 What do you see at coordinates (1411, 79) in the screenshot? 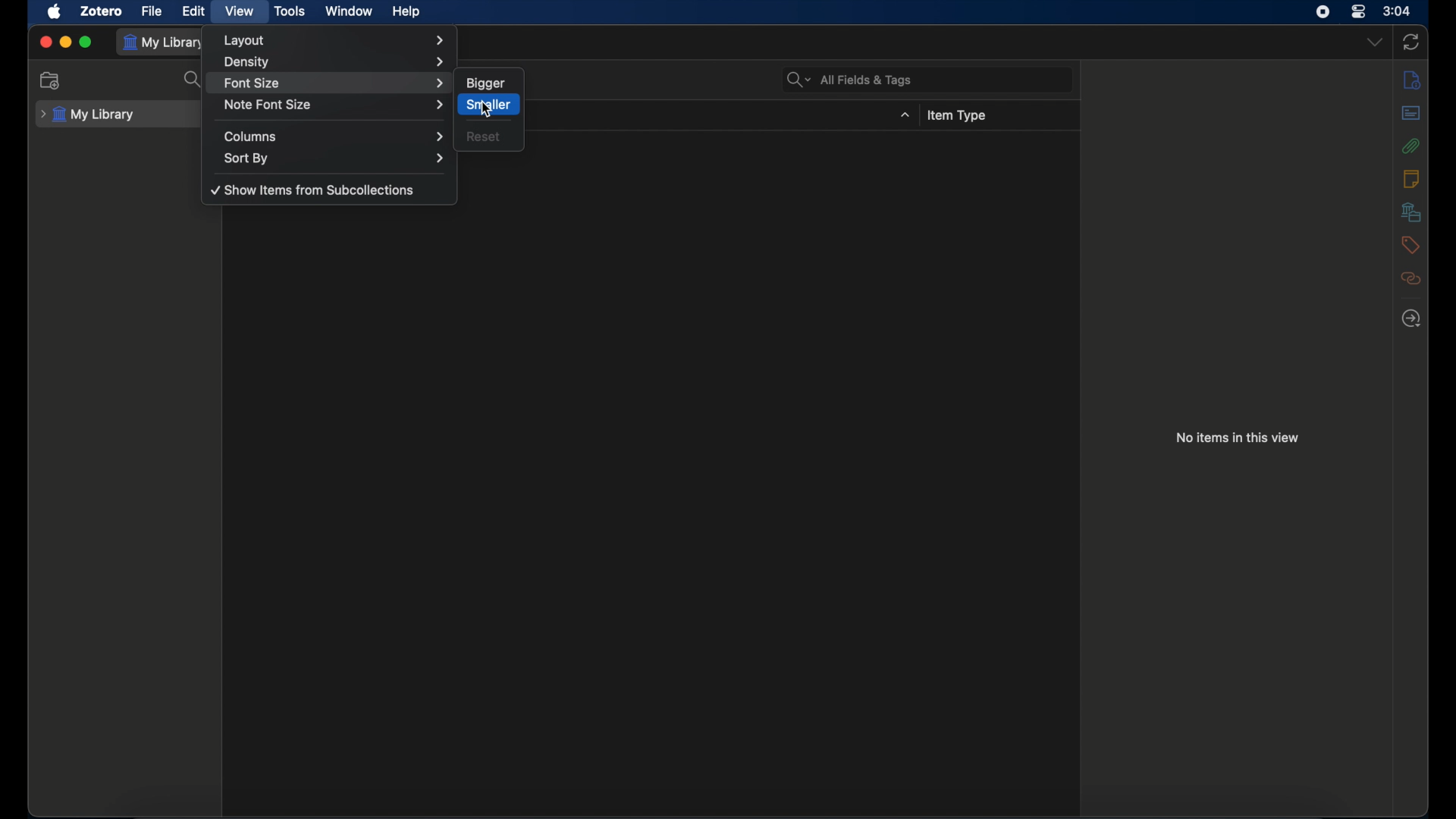
I see `info` at bounding box center [1411, 79].